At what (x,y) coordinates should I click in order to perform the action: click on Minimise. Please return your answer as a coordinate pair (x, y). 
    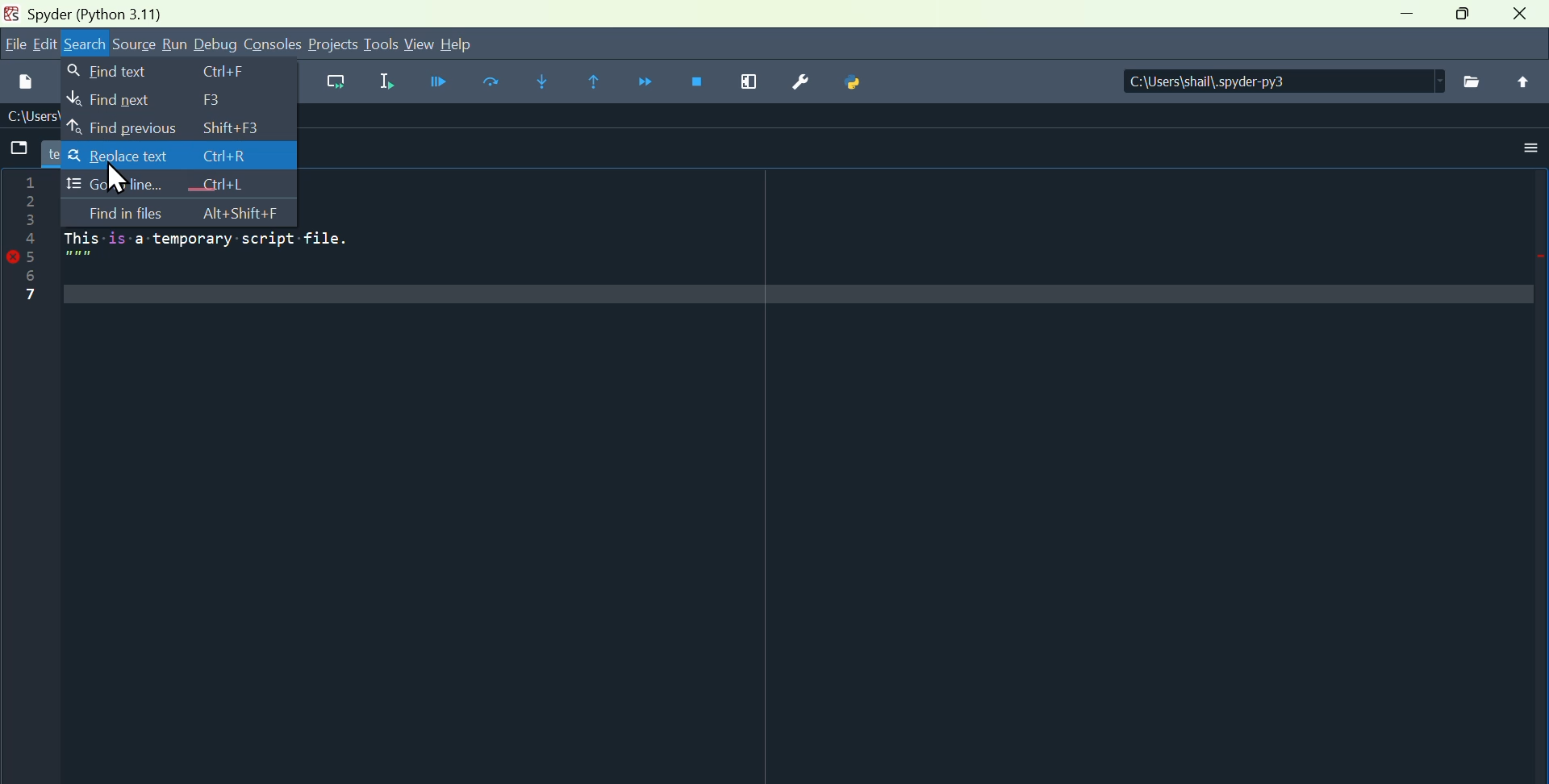
    Looking at the image, I should click on (1411, 15).